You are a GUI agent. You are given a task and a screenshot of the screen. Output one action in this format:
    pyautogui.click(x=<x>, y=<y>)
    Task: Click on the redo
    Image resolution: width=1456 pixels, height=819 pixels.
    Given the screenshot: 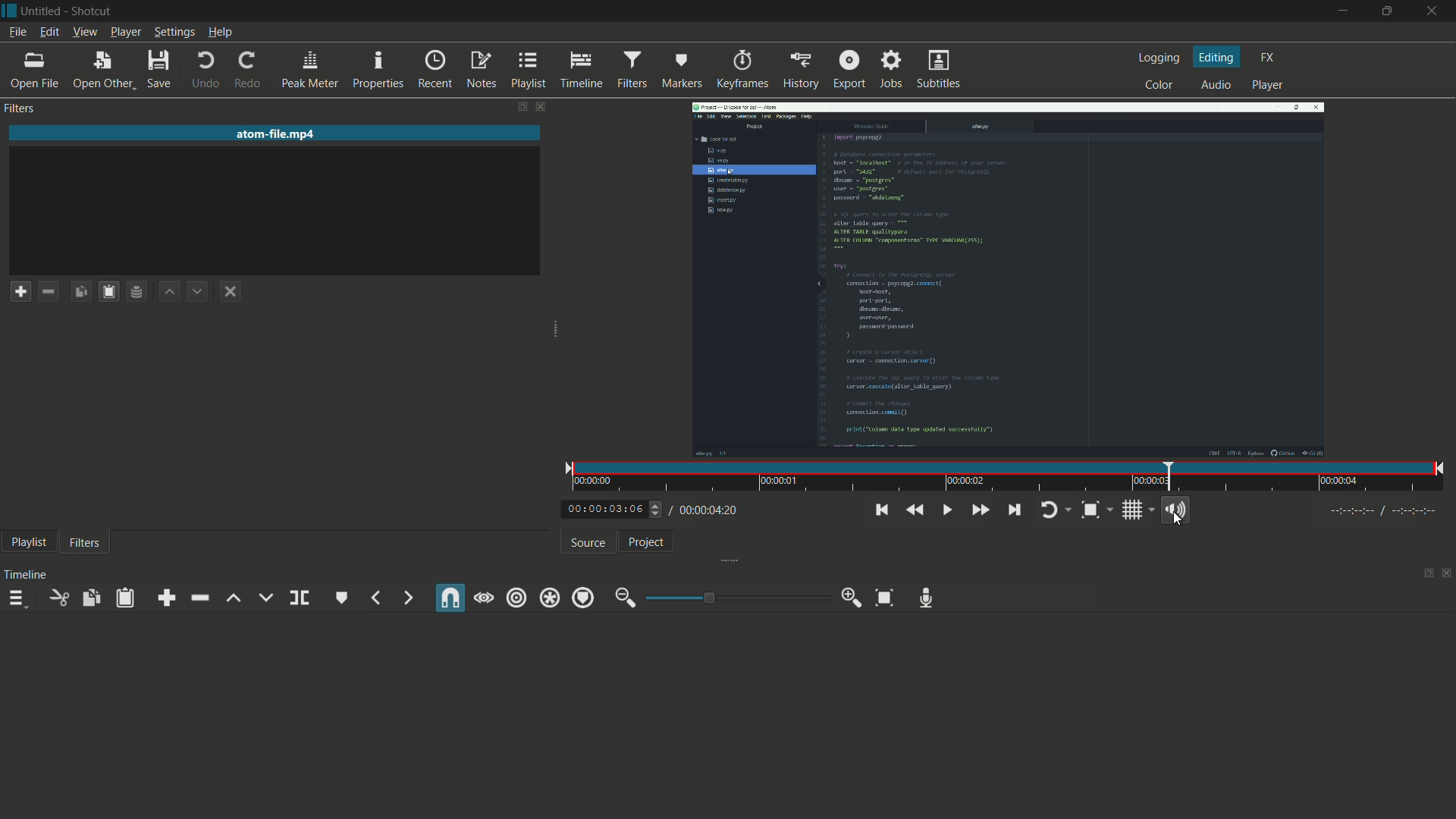 What is the action you would take?
    pyautogui.click(x=245, y=69)
    